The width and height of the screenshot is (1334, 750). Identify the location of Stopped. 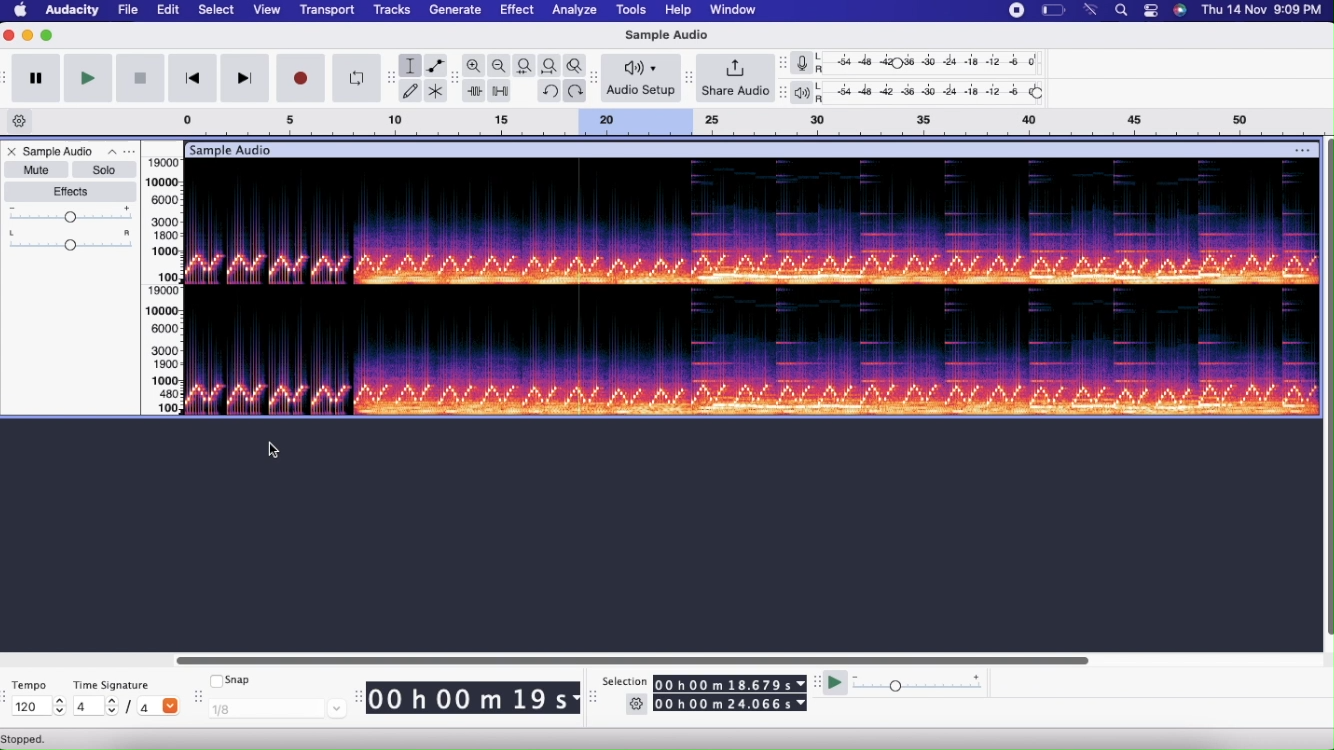
(36, 740).